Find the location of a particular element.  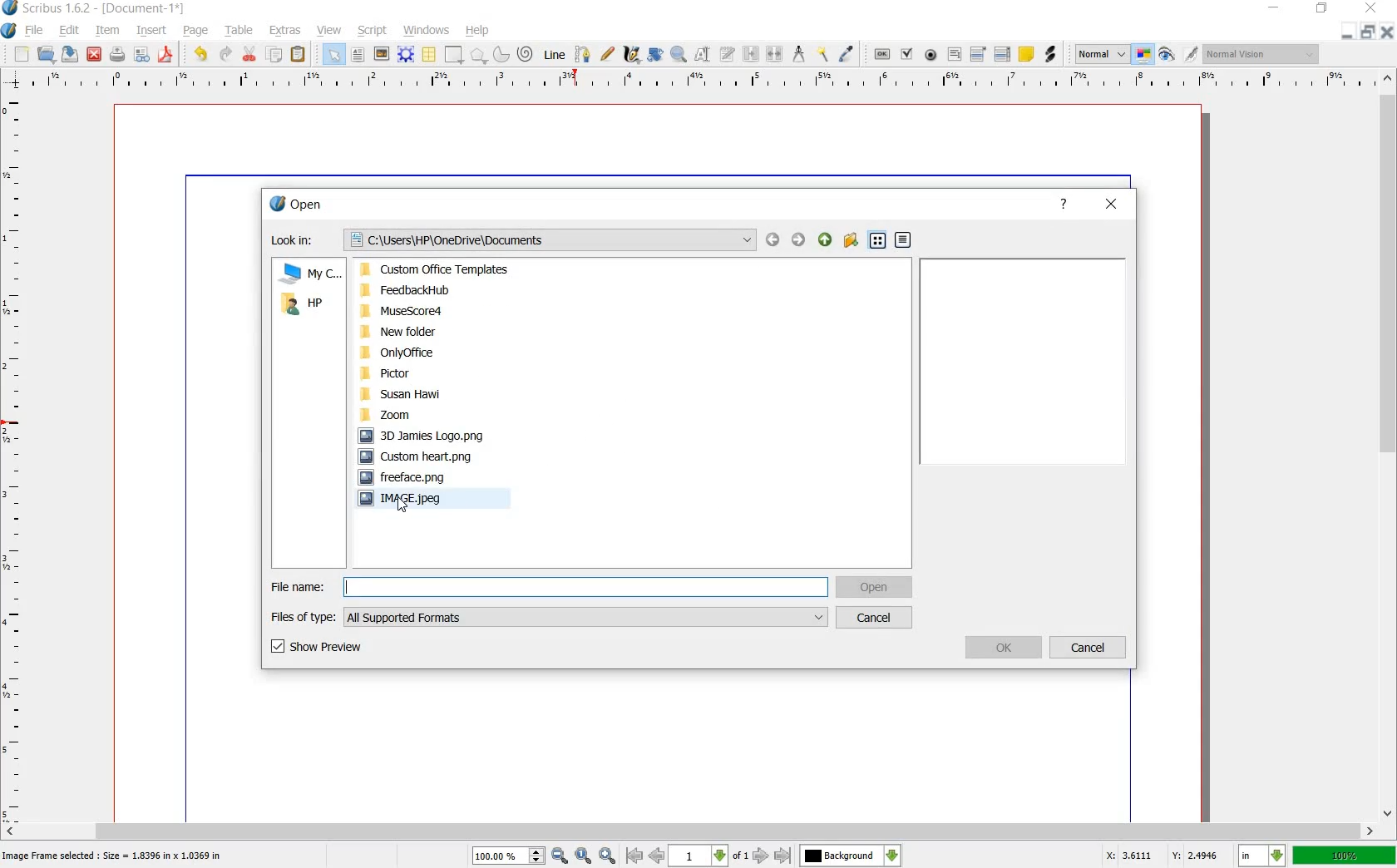

Look In is located at coordinates (299, 243).